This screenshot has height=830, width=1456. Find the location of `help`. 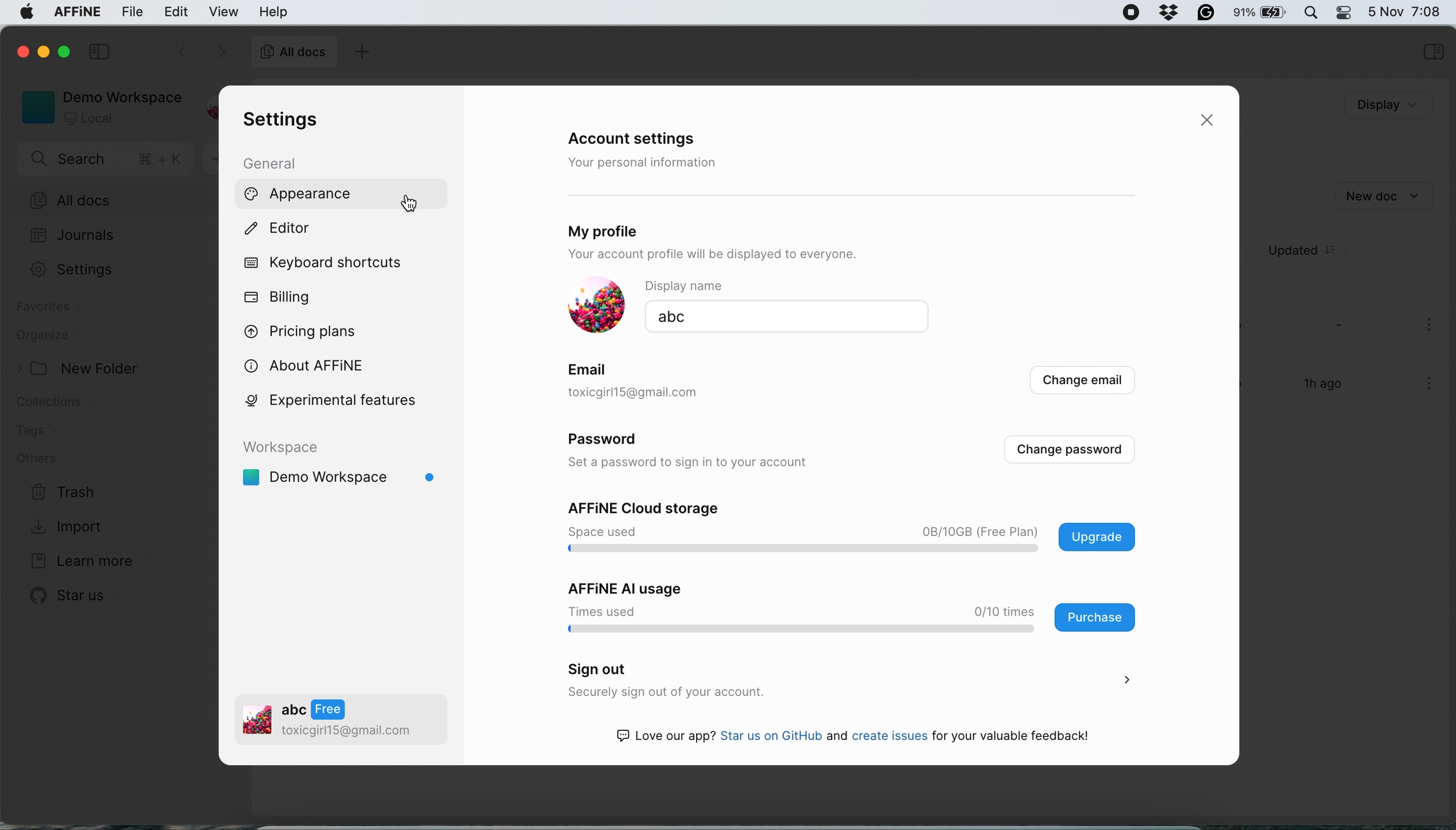

help is located at coordinates (273, 11).